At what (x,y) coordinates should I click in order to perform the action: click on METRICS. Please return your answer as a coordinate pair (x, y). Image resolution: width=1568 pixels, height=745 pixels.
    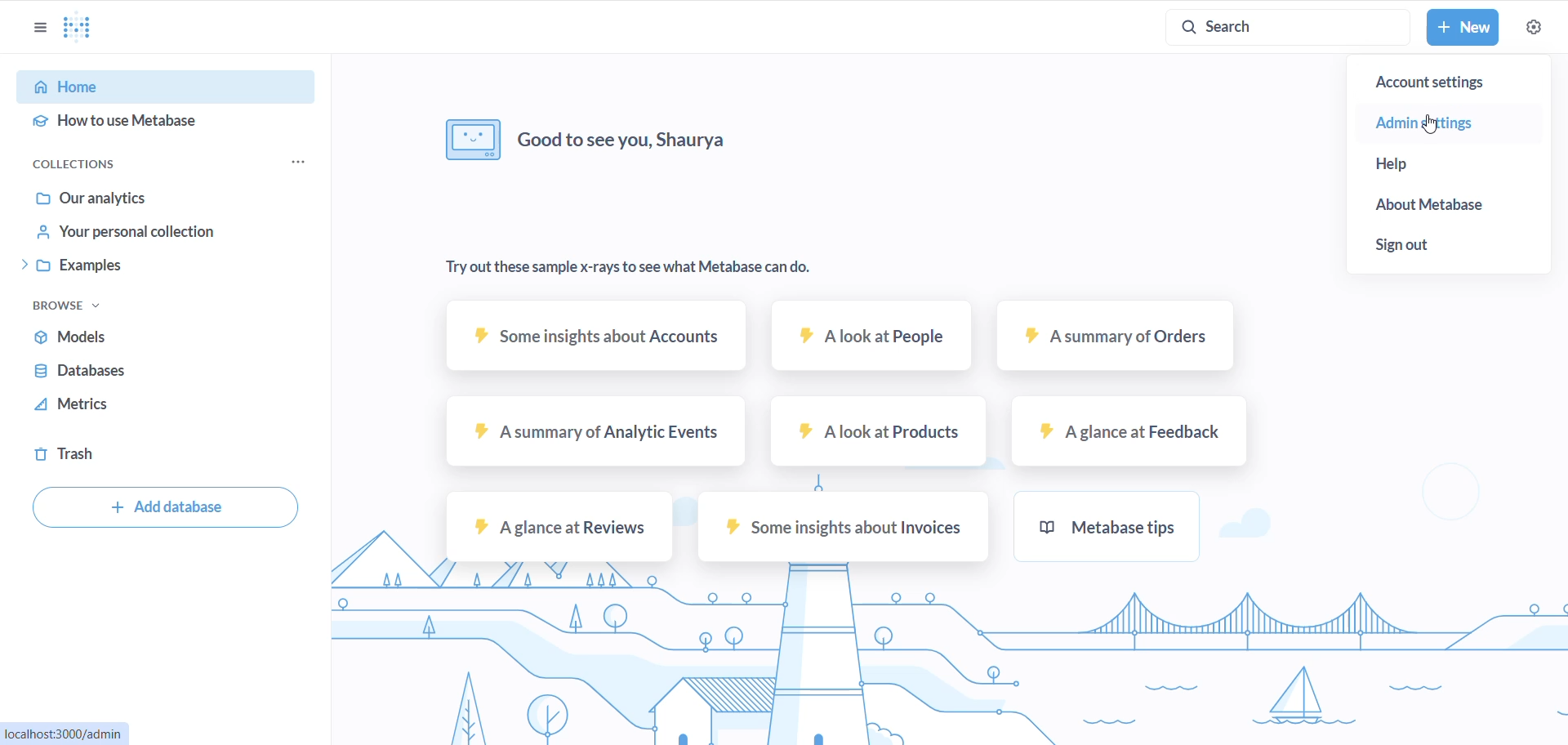
    Looking at the image, I should click on (168, 404).